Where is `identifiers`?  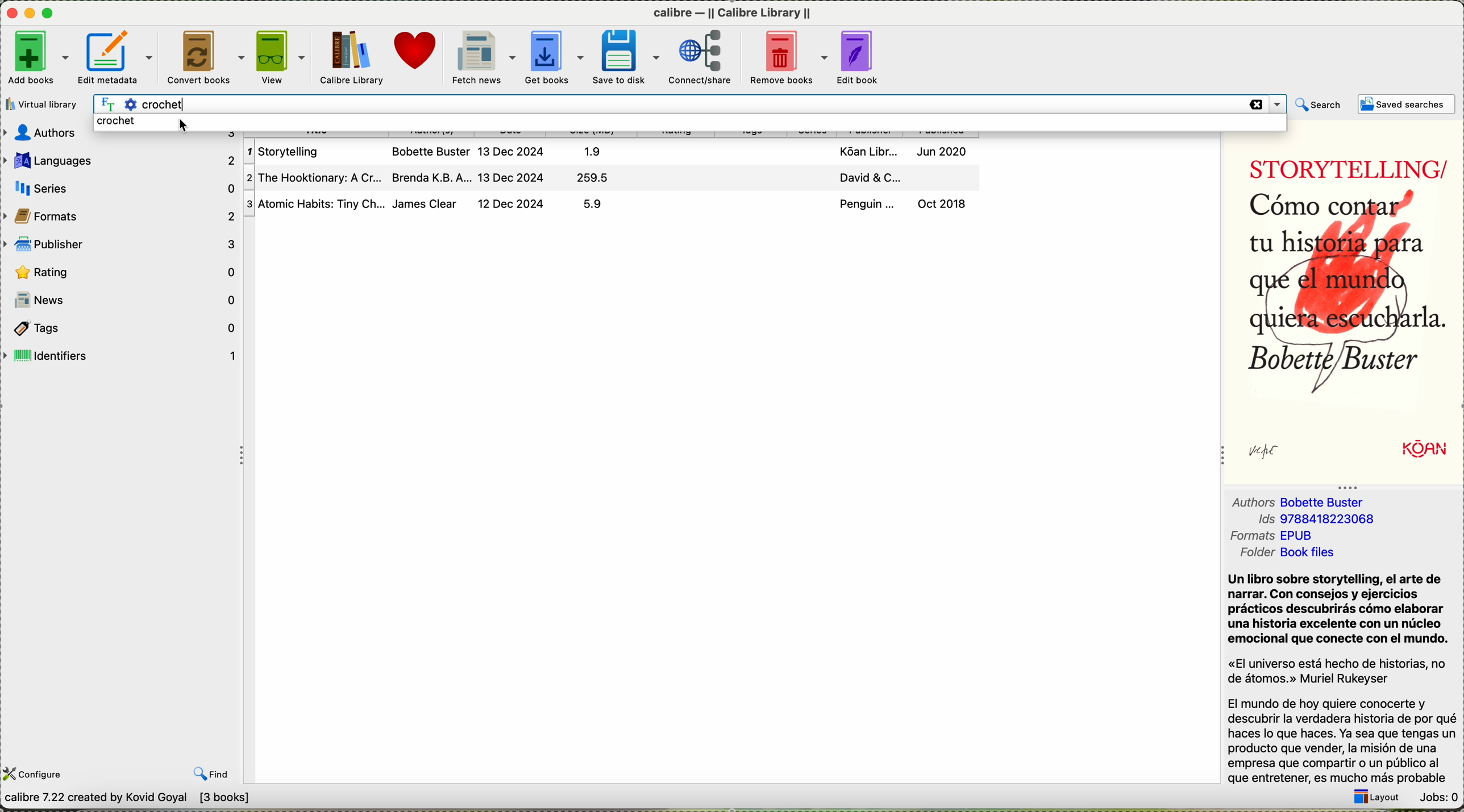
identifiers is located at coordinates (123, 355).